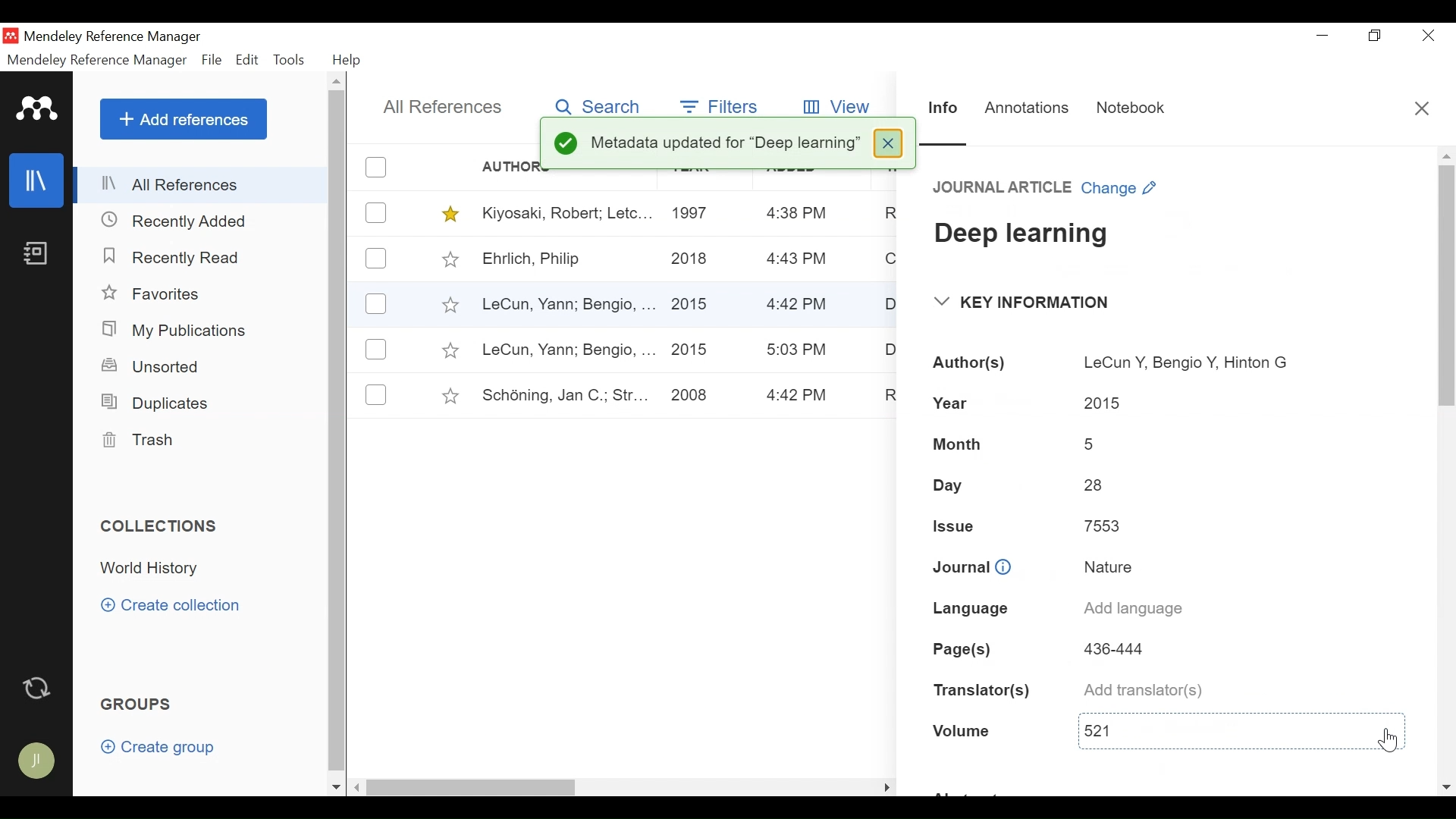 The image size is (1456, 819). What do you see at coordinates (566, 260) in the screenshot?
I see `Ehrlich, Philip` at bounding box center [566, 260].